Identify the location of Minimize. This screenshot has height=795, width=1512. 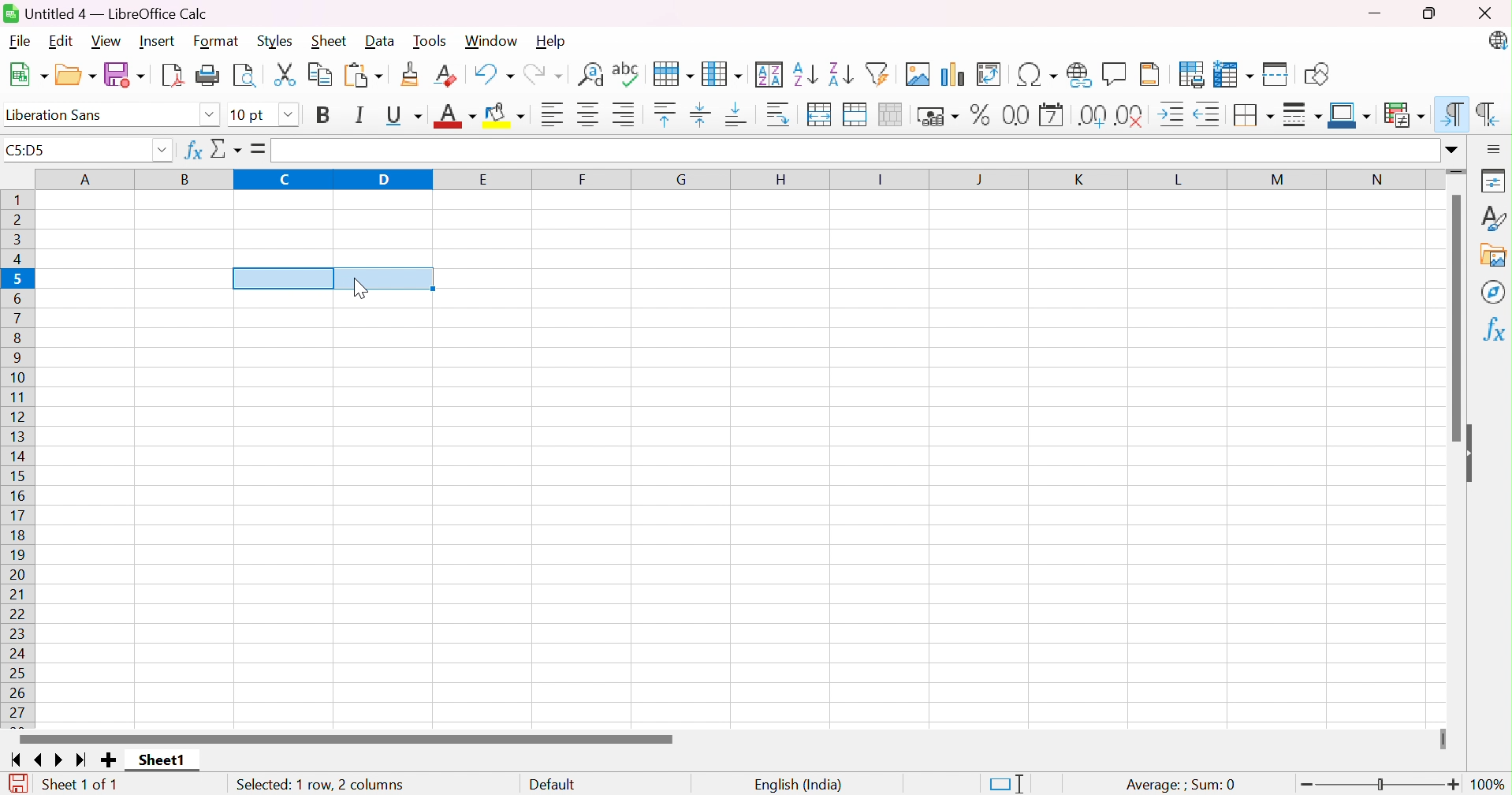
(1373, 13).